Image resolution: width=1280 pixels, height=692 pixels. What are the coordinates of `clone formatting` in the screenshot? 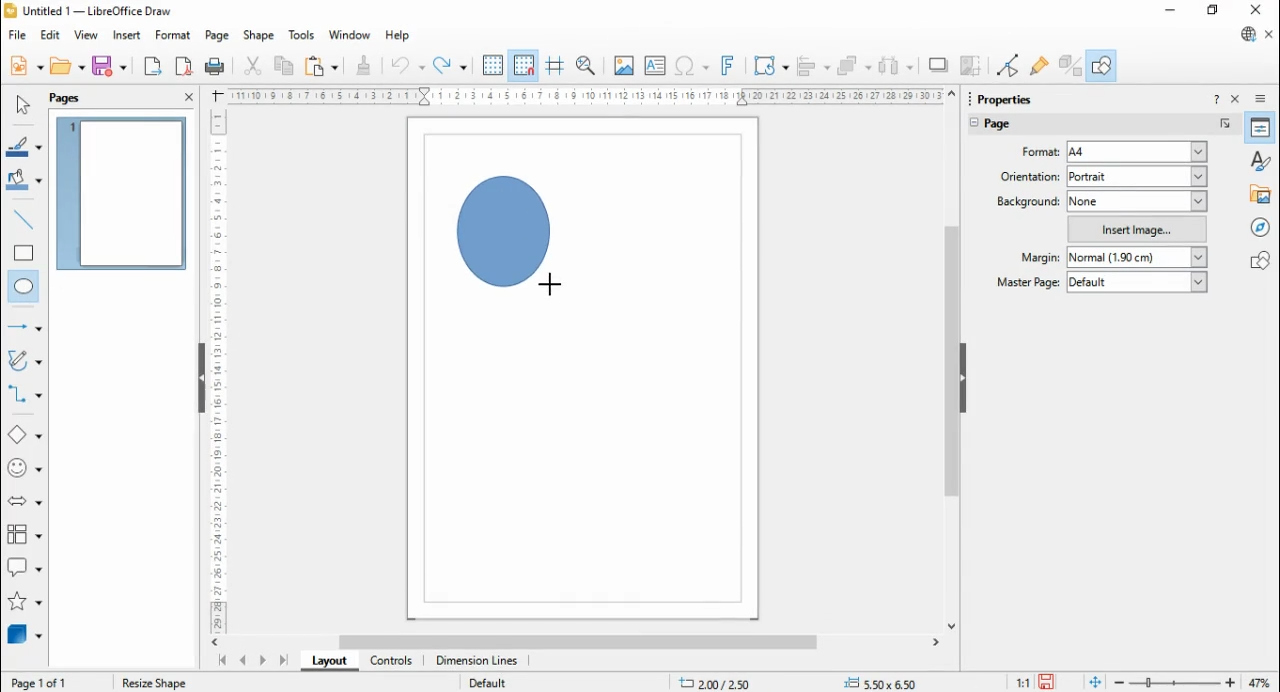 It's located at (364, 65).